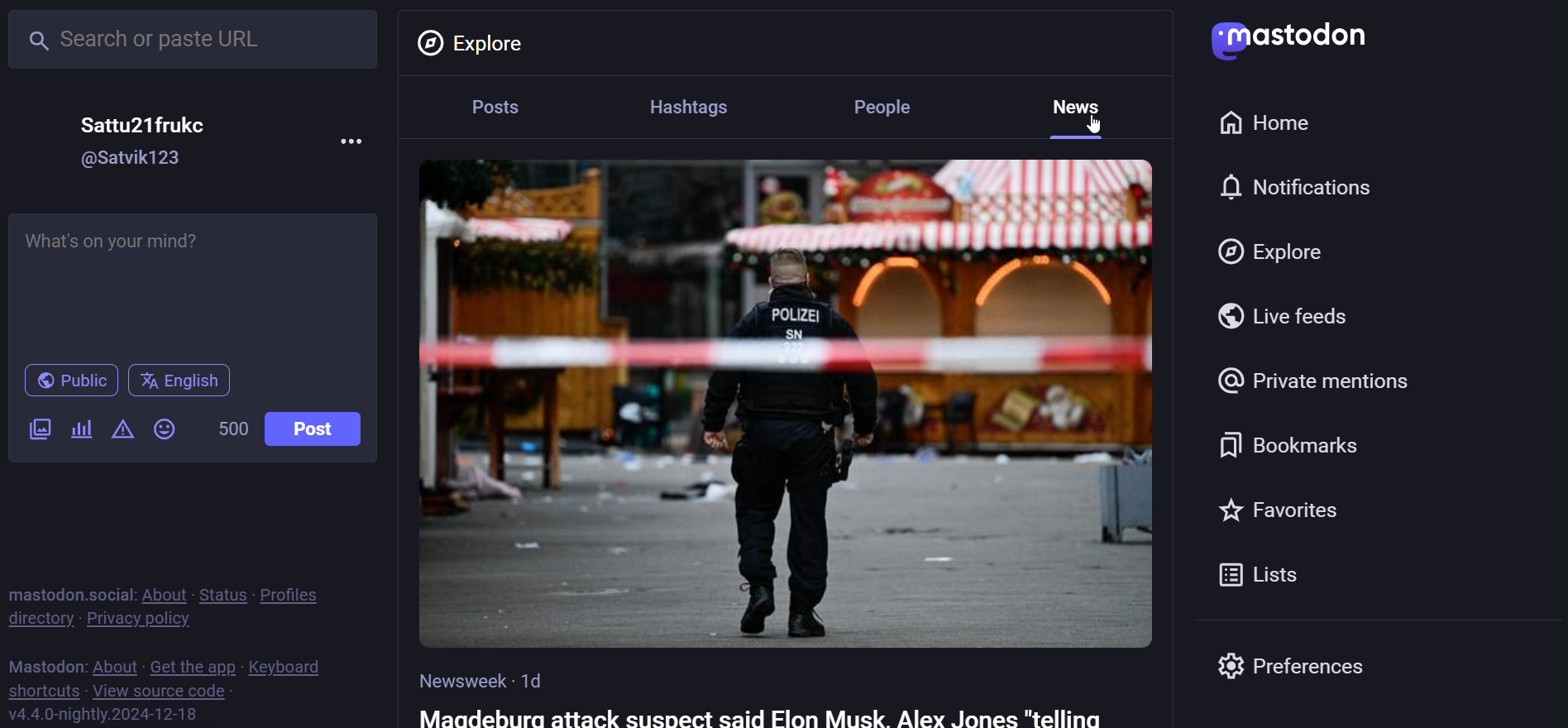 The height and width of the screenshot is (728, 1568). Describe the element at coordinates (192, 666) in the screenshot. I see `get the app` at that location.